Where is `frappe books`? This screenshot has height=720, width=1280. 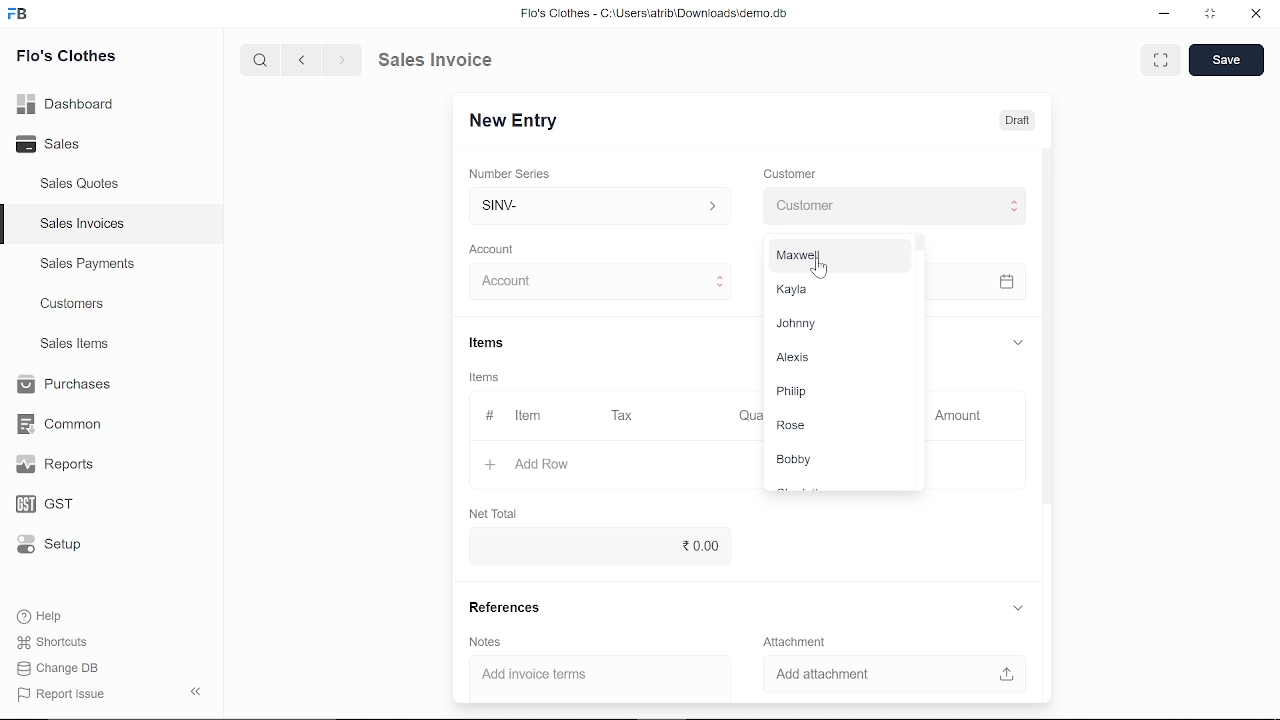
frappe books is located at coordinates (18, 16).